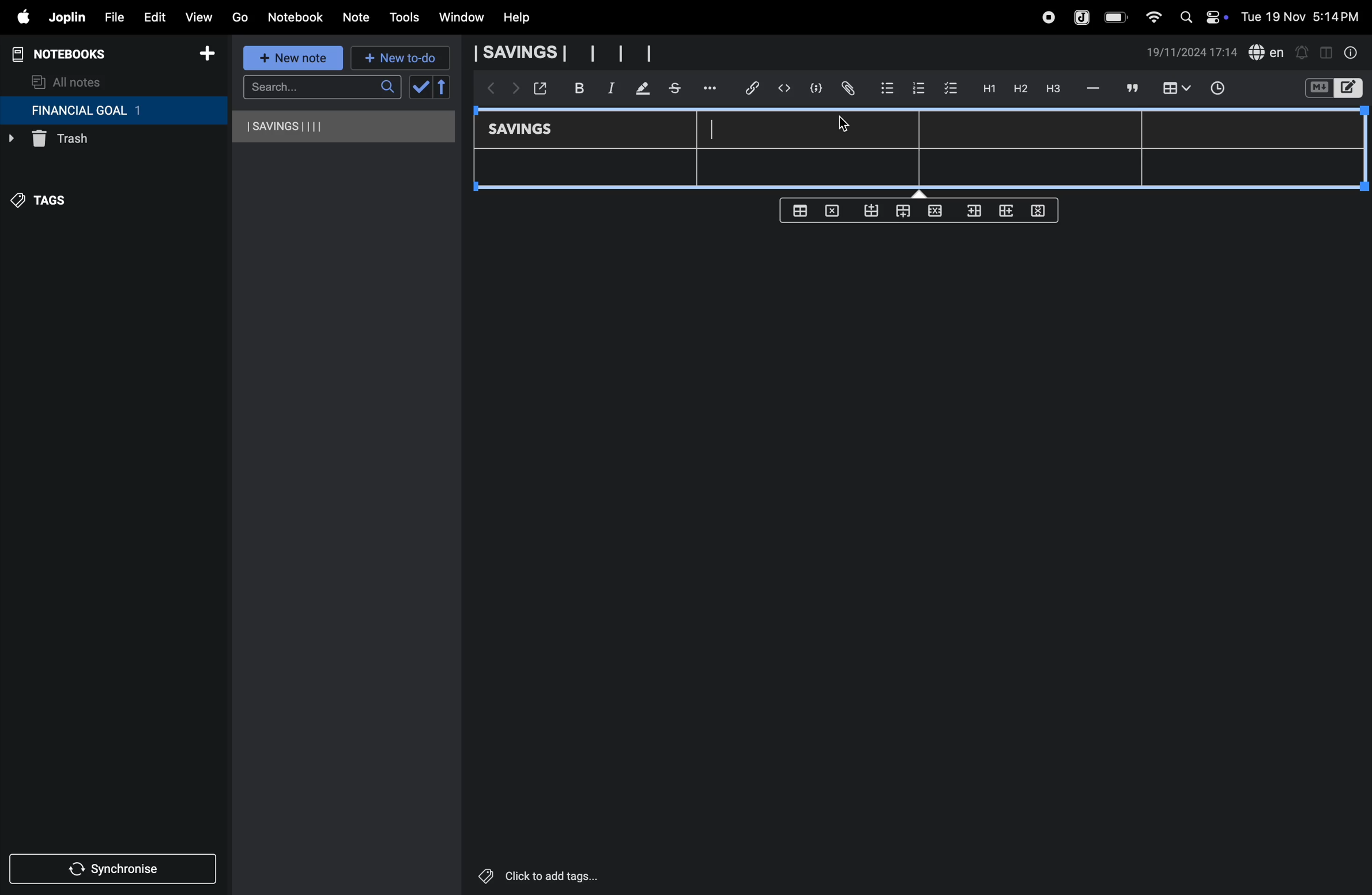 The width and height of the screenshot is (1372, 895). I want to click on record, so click(1047, 17).